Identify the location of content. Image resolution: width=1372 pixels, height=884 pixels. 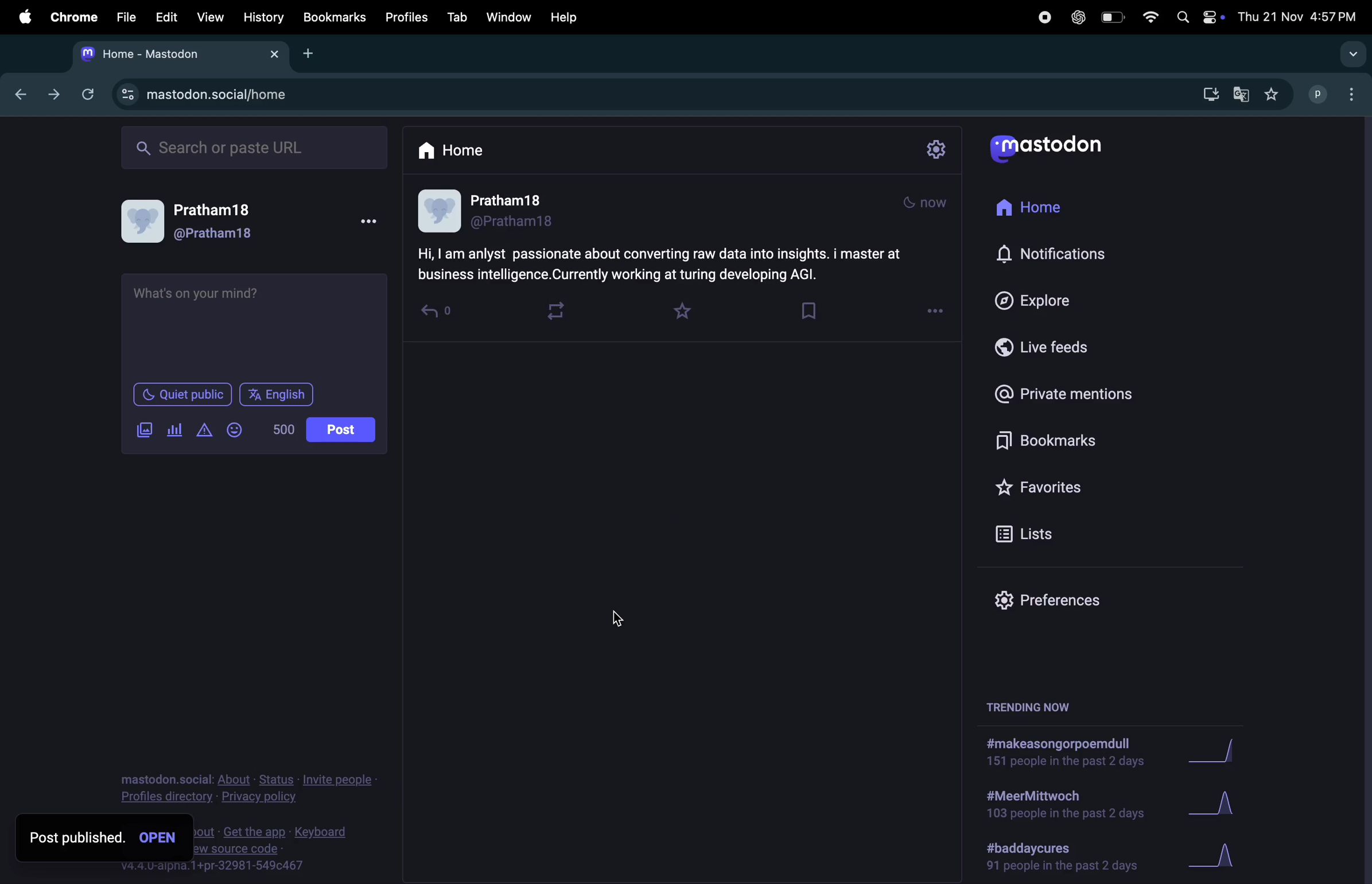
(673, 262).